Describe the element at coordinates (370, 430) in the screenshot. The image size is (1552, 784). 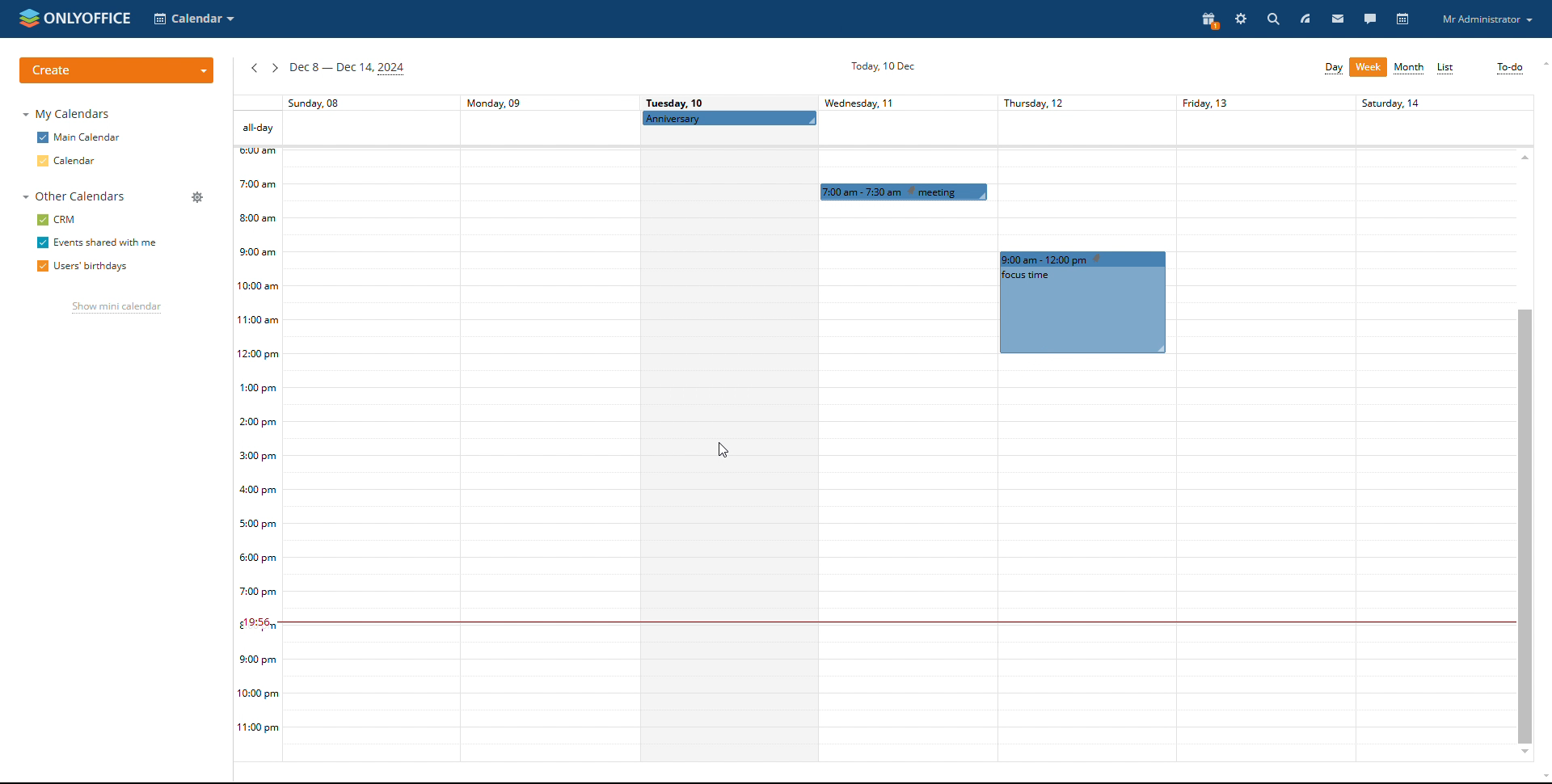
I see `sunday` at that location.